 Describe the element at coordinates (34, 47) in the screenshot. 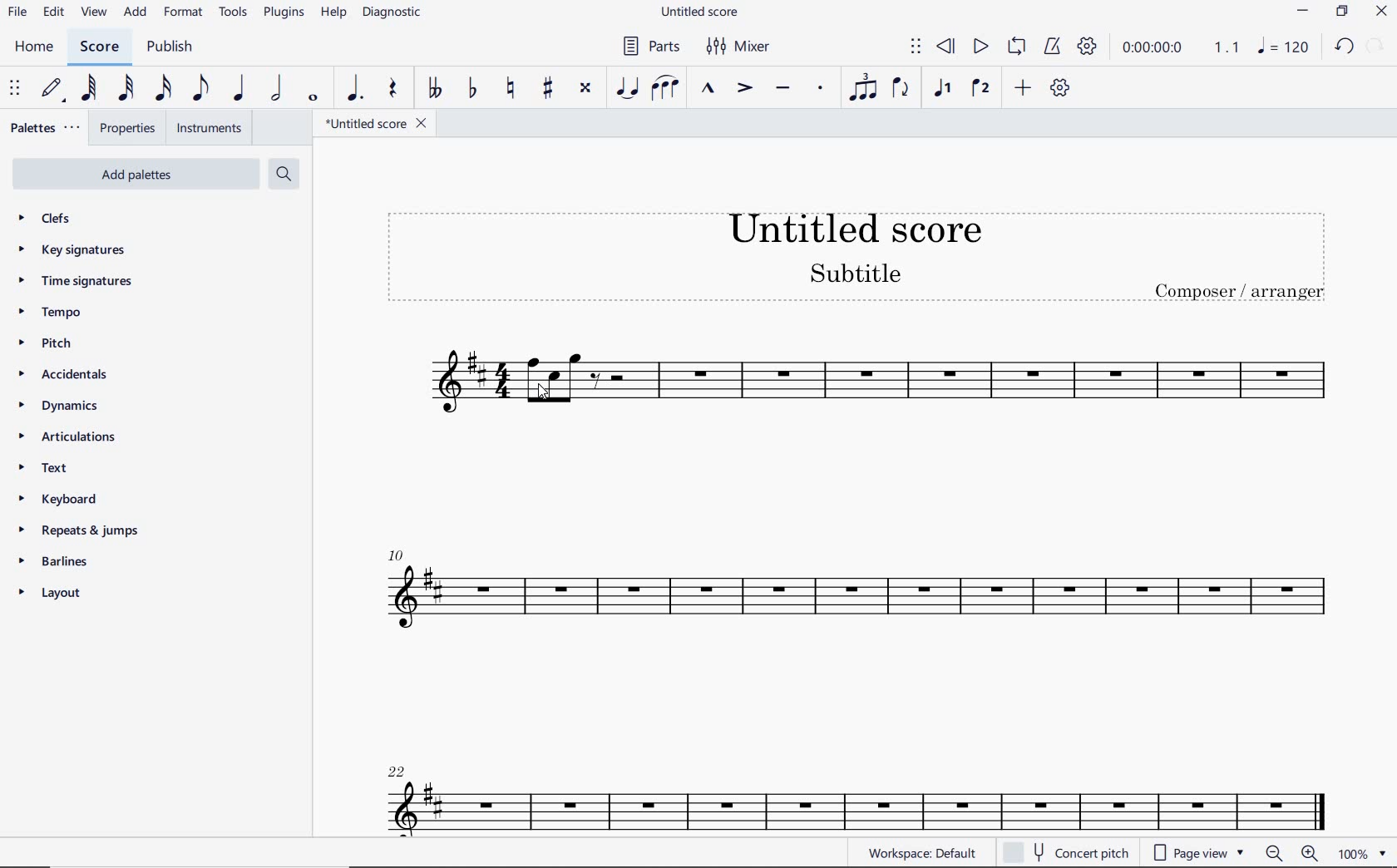

I see `HOME` at that location.